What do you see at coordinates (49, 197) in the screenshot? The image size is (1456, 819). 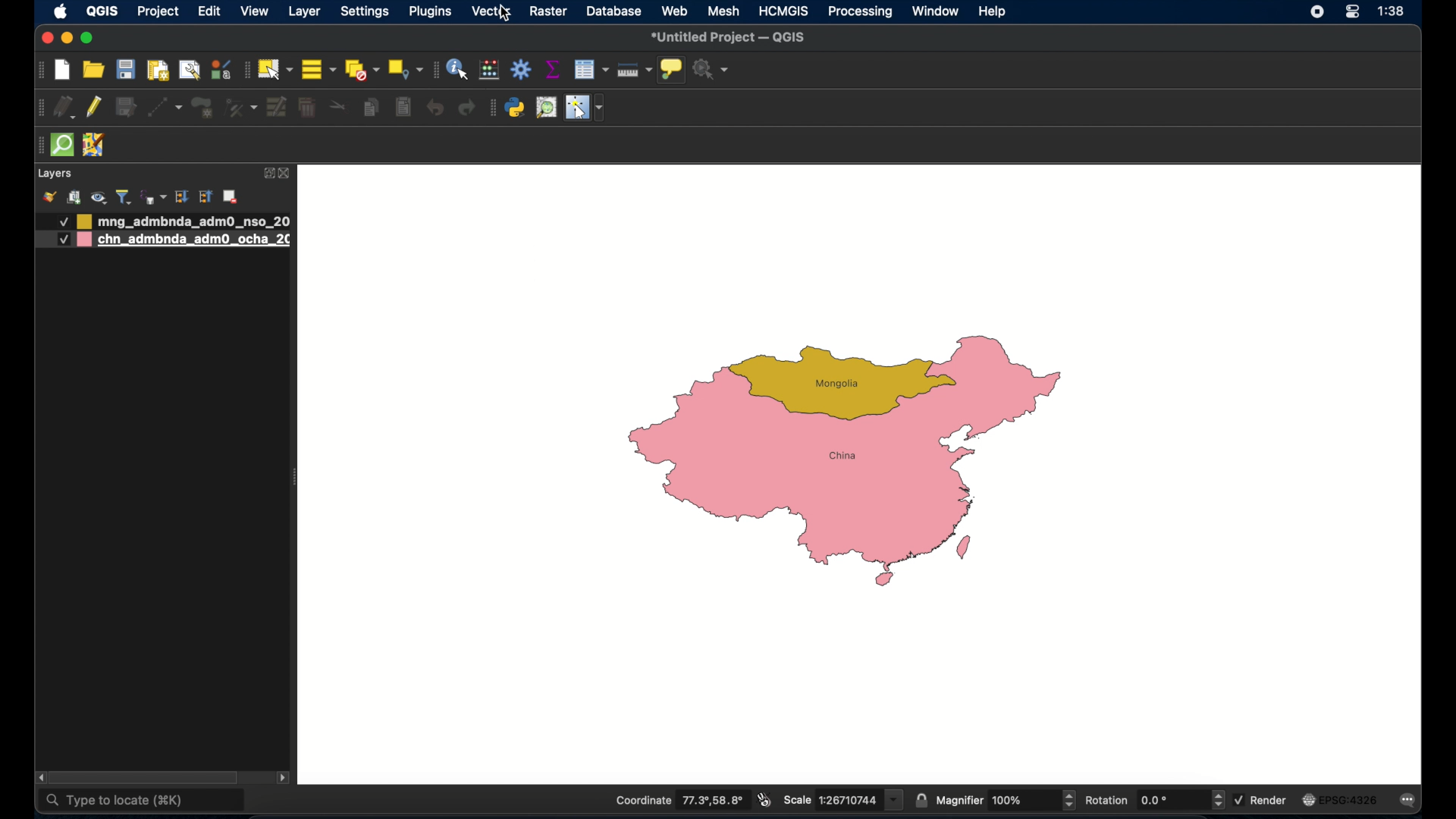 I see `open layer styling panel` at bounding box center [49, 197].